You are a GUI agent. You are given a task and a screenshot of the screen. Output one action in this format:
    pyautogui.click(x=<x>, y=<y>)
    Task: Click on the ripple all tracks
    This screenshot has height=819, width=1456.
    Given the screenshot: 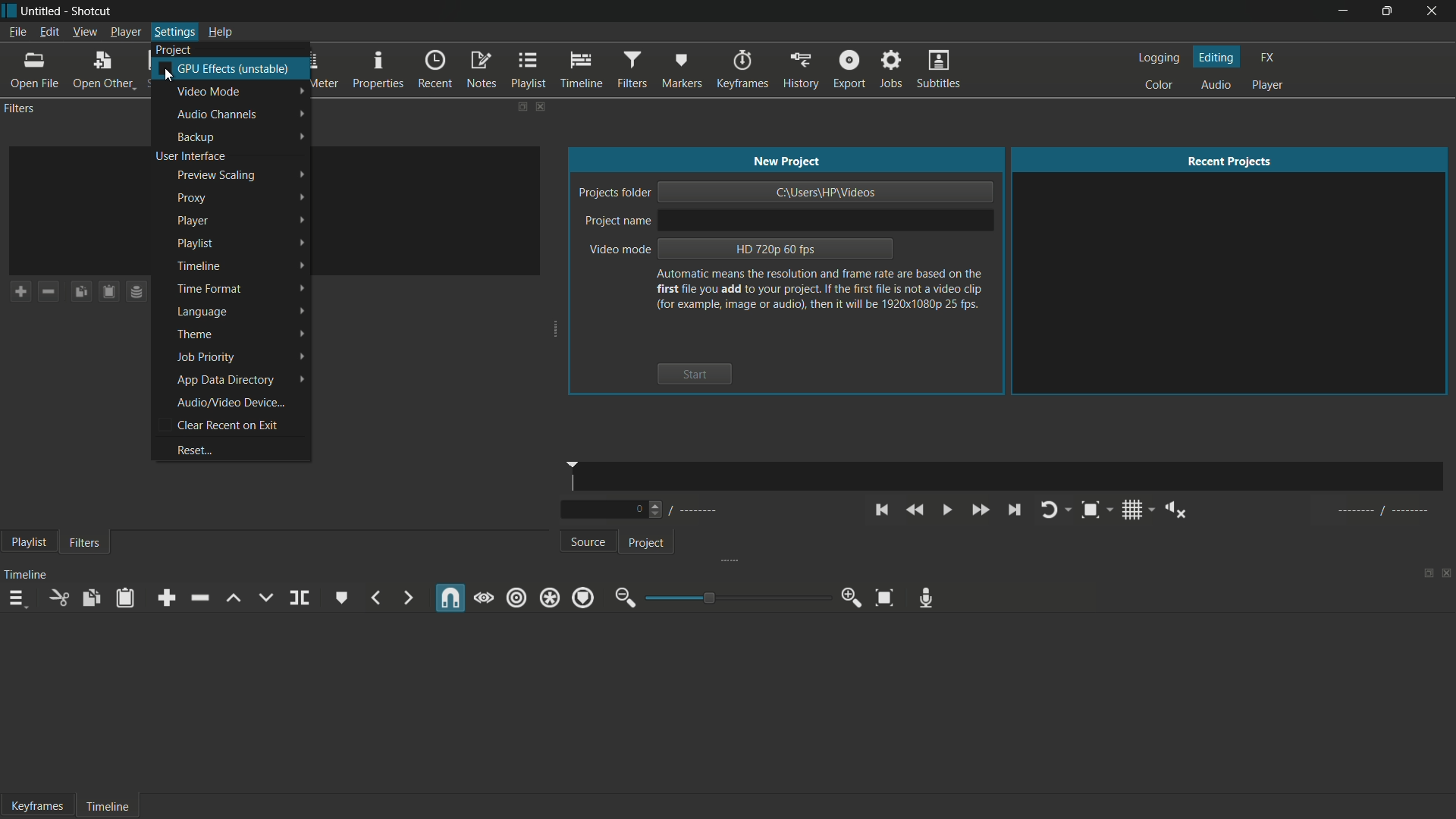 What is the action you would take?
    pyautogui.click(x=548, y=598)
    